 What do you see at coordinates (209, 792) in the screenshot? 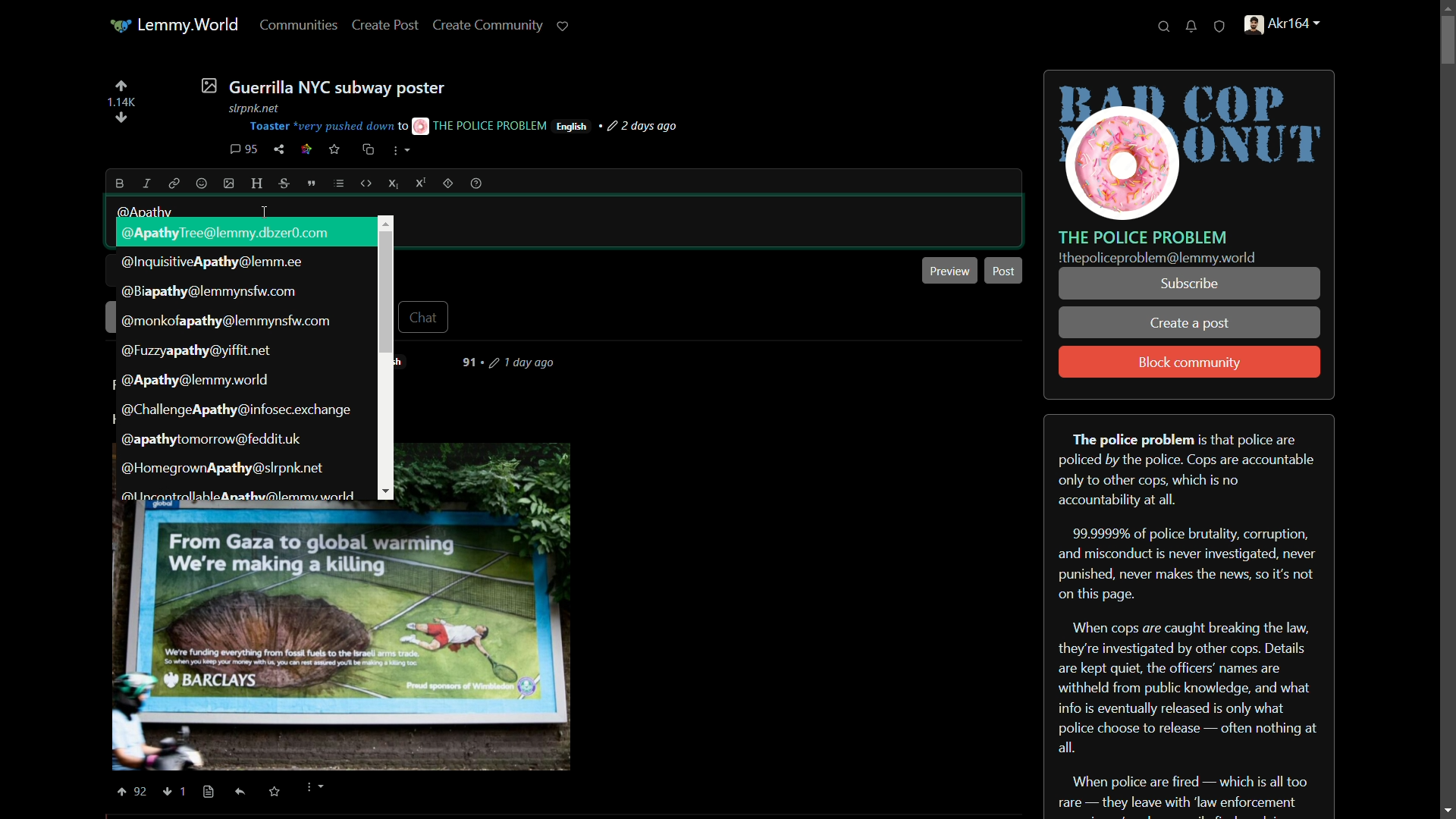
I see `` at bounding box center [209, 792].